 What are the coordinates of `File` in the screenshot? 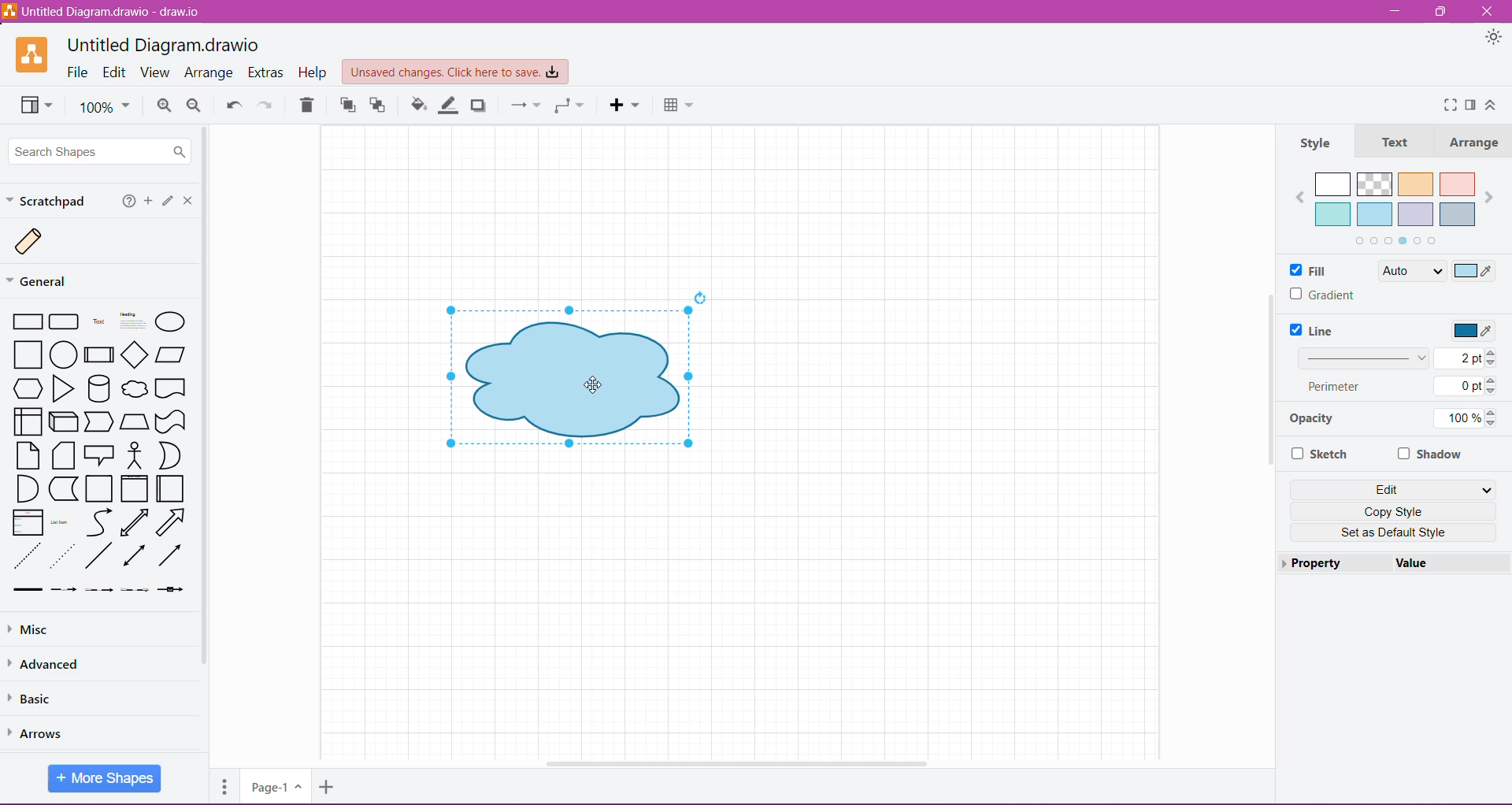 It's located at (76, 72).